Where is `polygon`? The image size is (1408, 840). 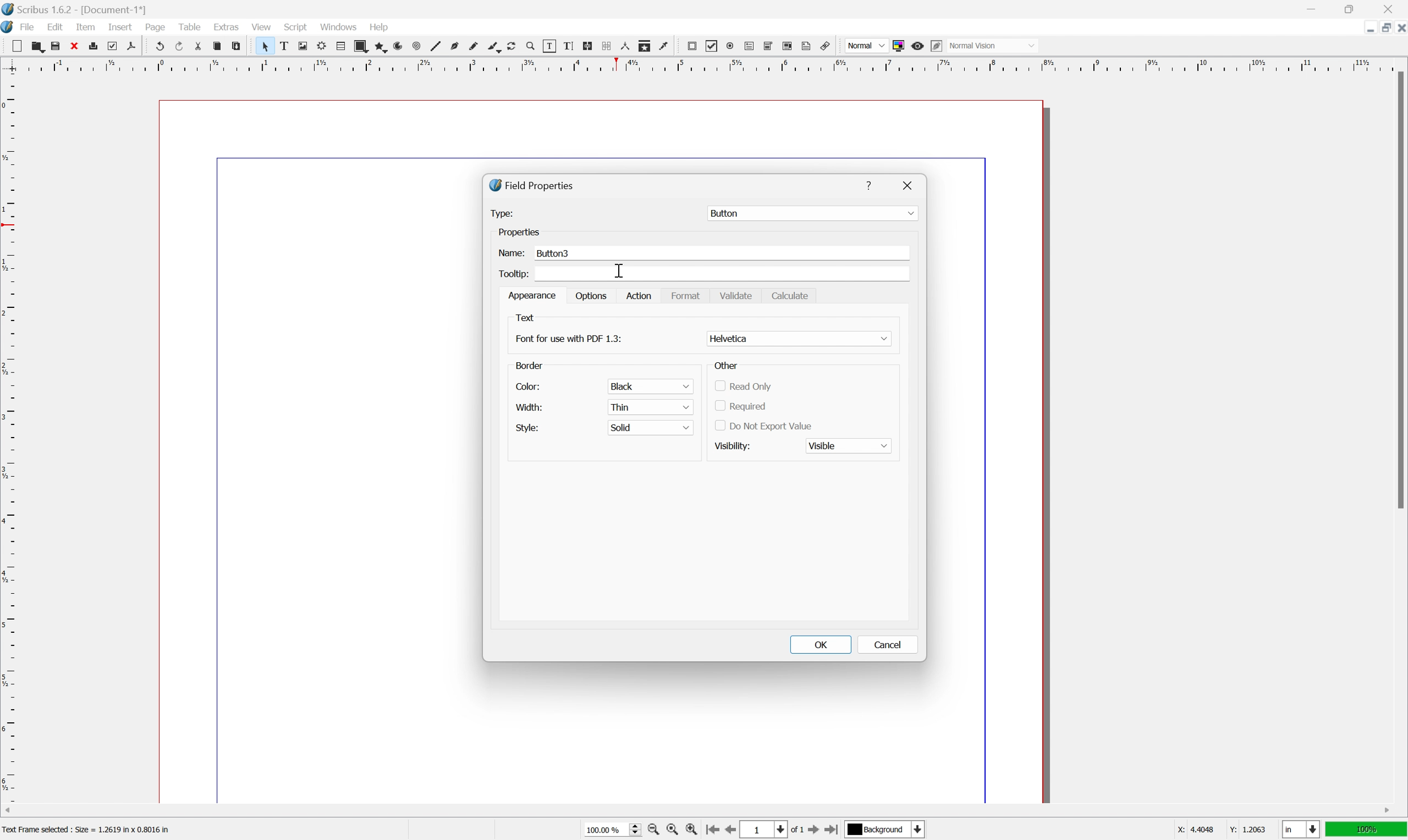 polygon is located at coordinates (379, 47).